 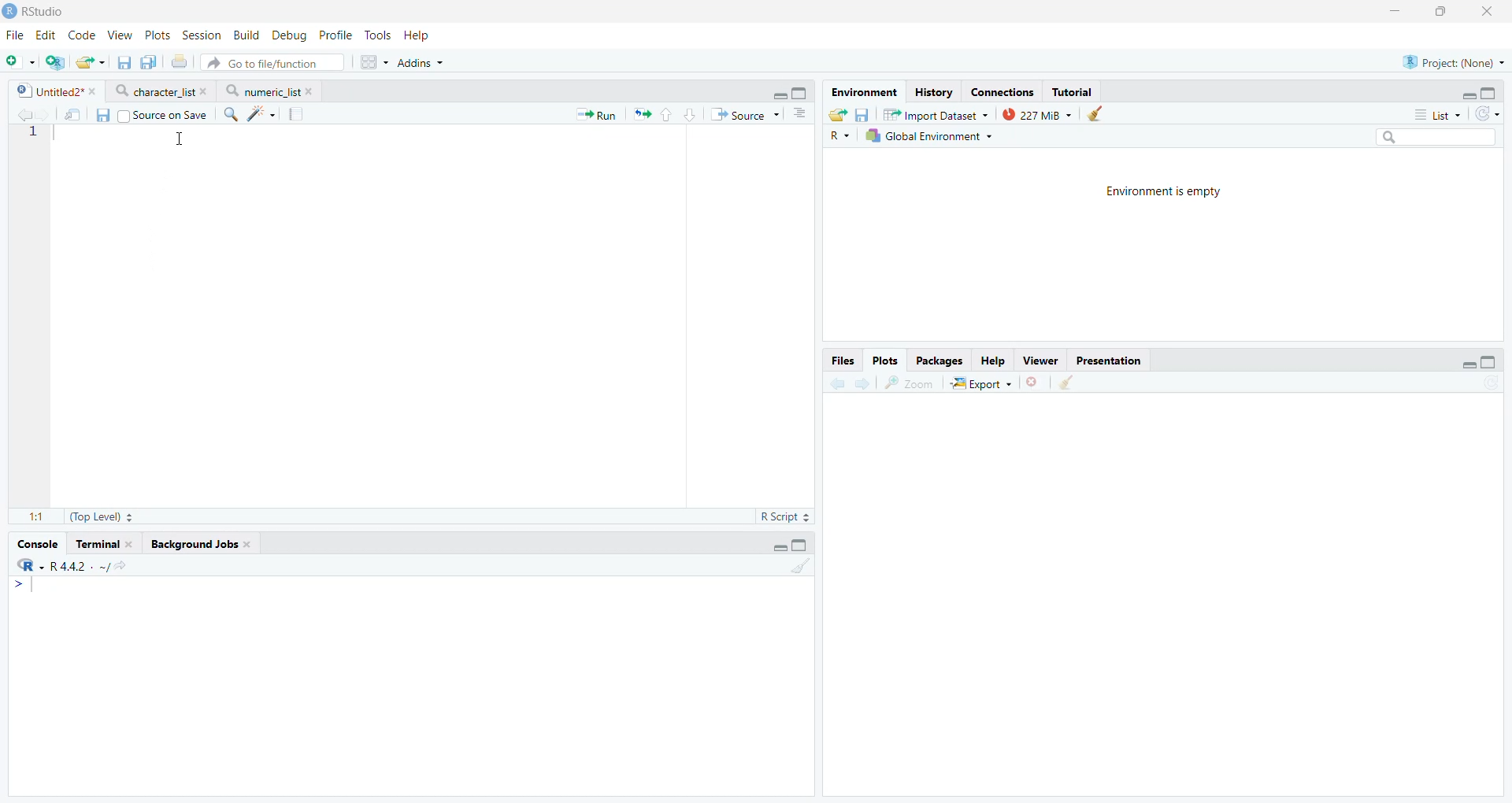 What do you see at coordinates (100, 516) in the screenshot?
I see `(Top Level)` at bounding box center [100, 516].